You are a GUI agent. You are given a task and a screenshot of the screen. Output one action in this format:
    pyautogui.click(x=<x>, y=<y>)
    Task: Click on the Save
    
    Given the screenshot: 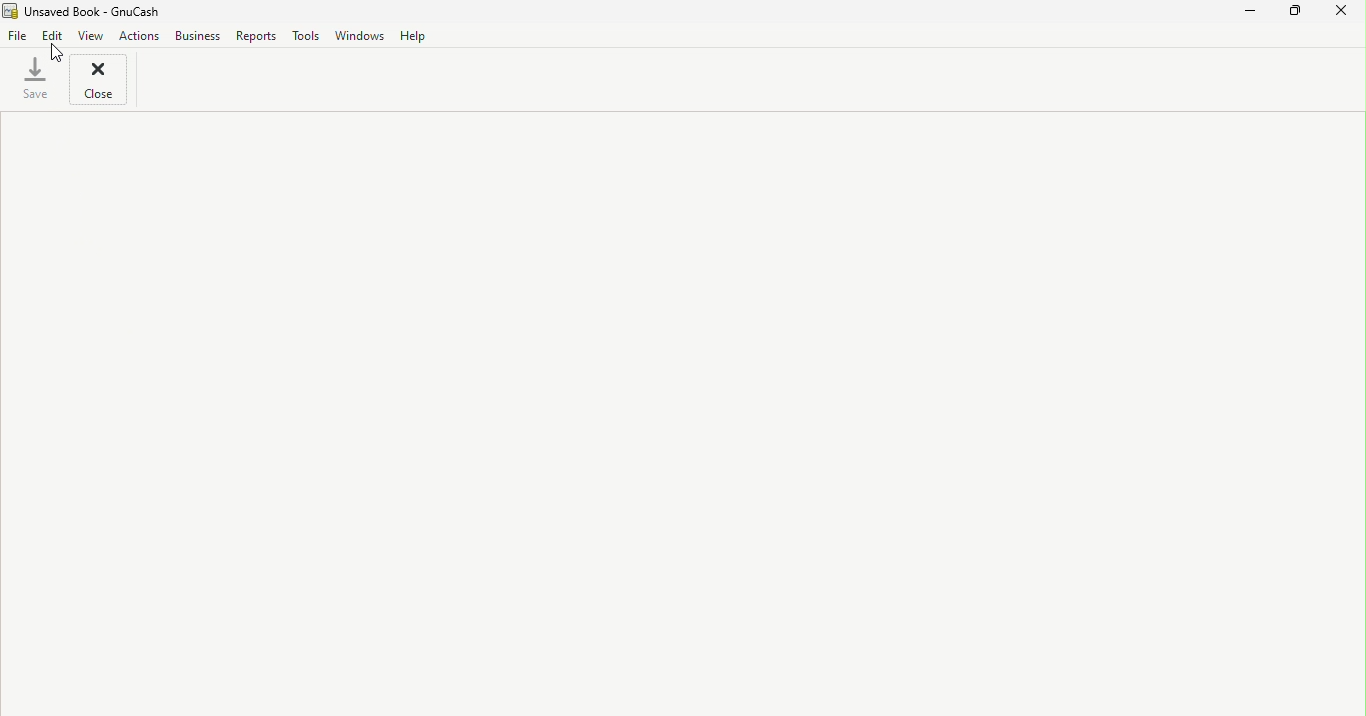 What is the action you would take?
    pyautogui.click(x=36, y=82)
    